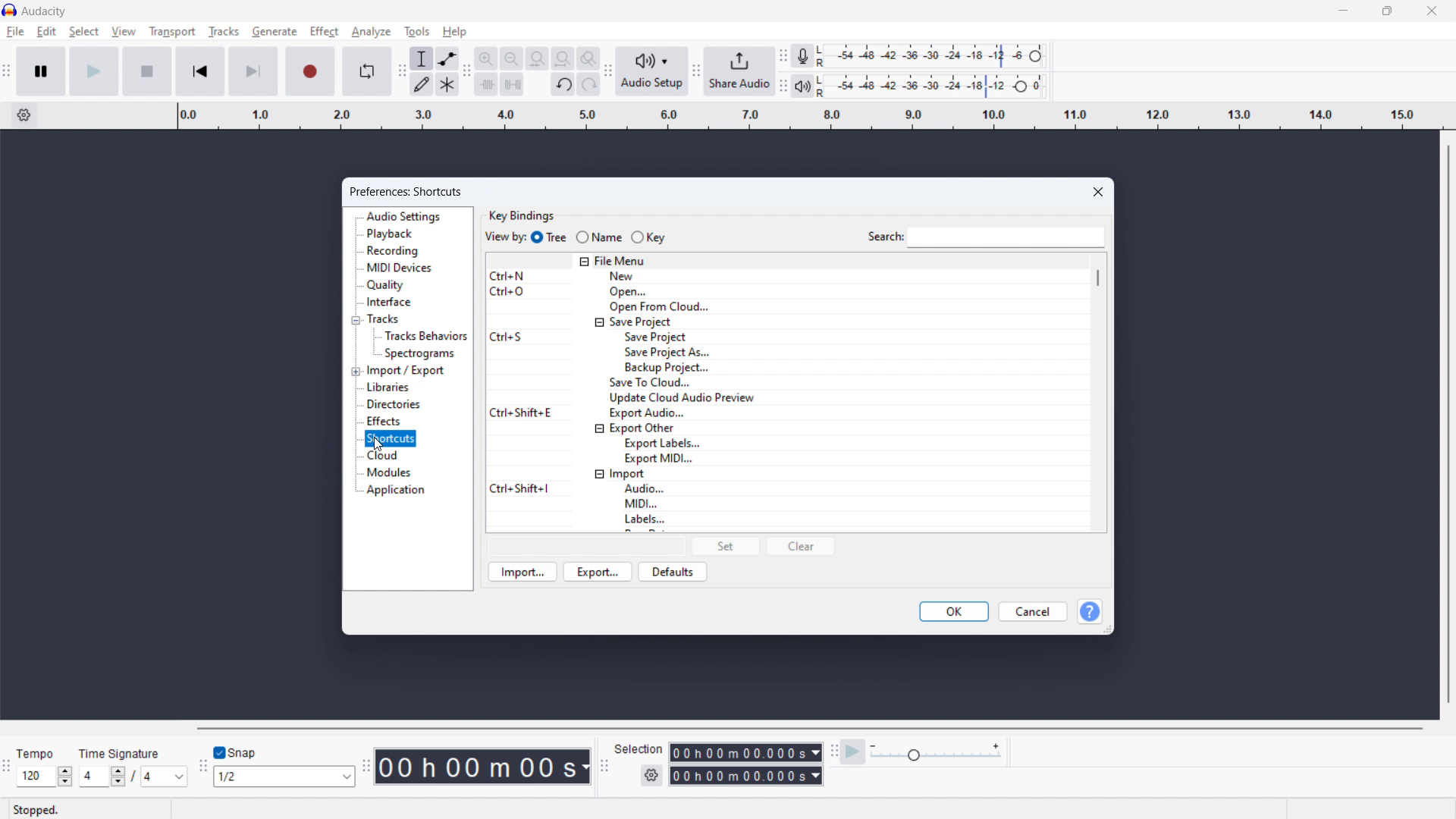 The image size is (1456, 819). Describe the element at coordinates (388, 387) in the screenshot. I see `libraries` at that location.